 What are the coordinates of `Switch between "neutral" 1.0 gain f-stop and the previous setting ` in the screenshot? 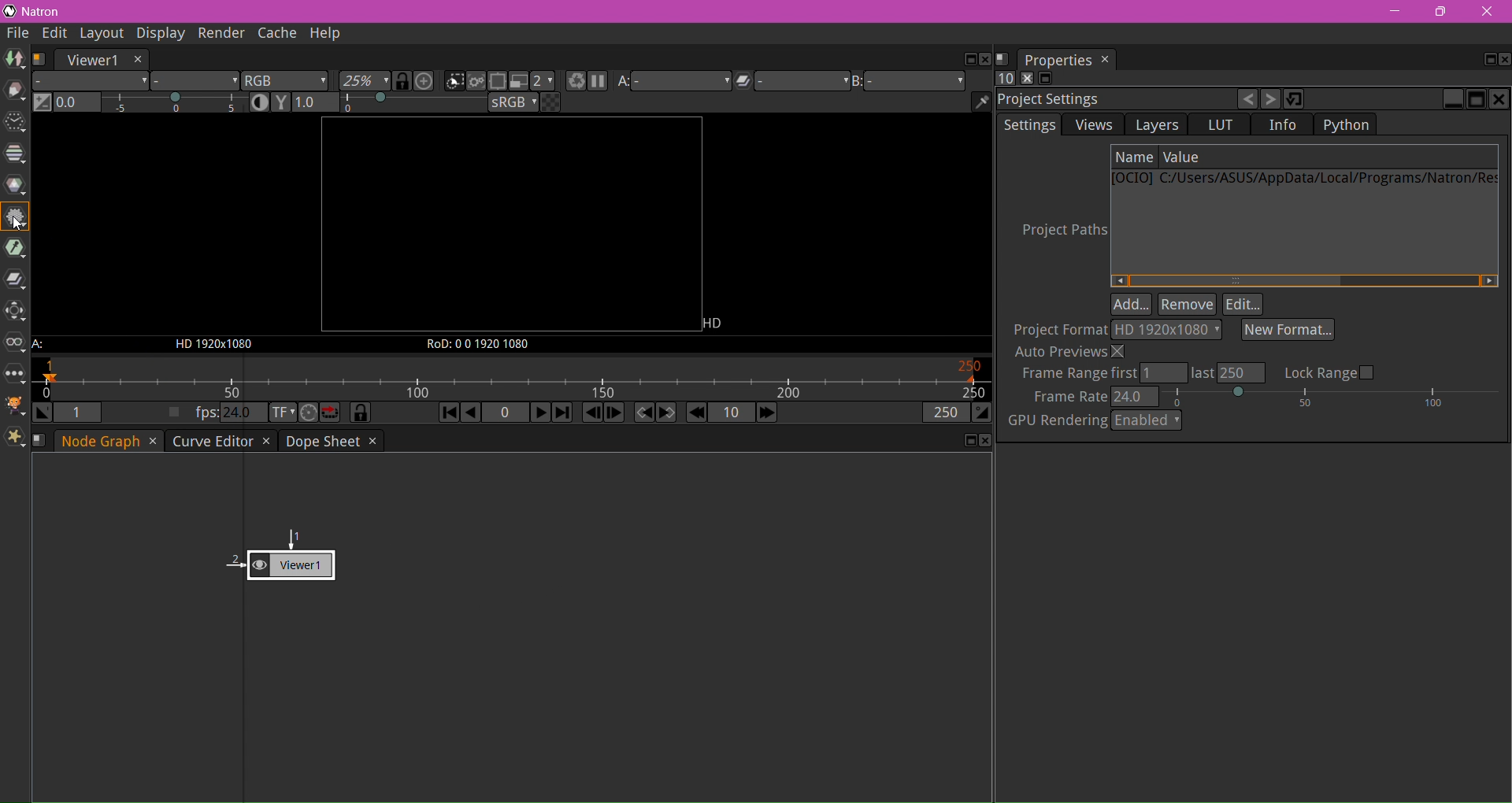 It's located at (43, 103).